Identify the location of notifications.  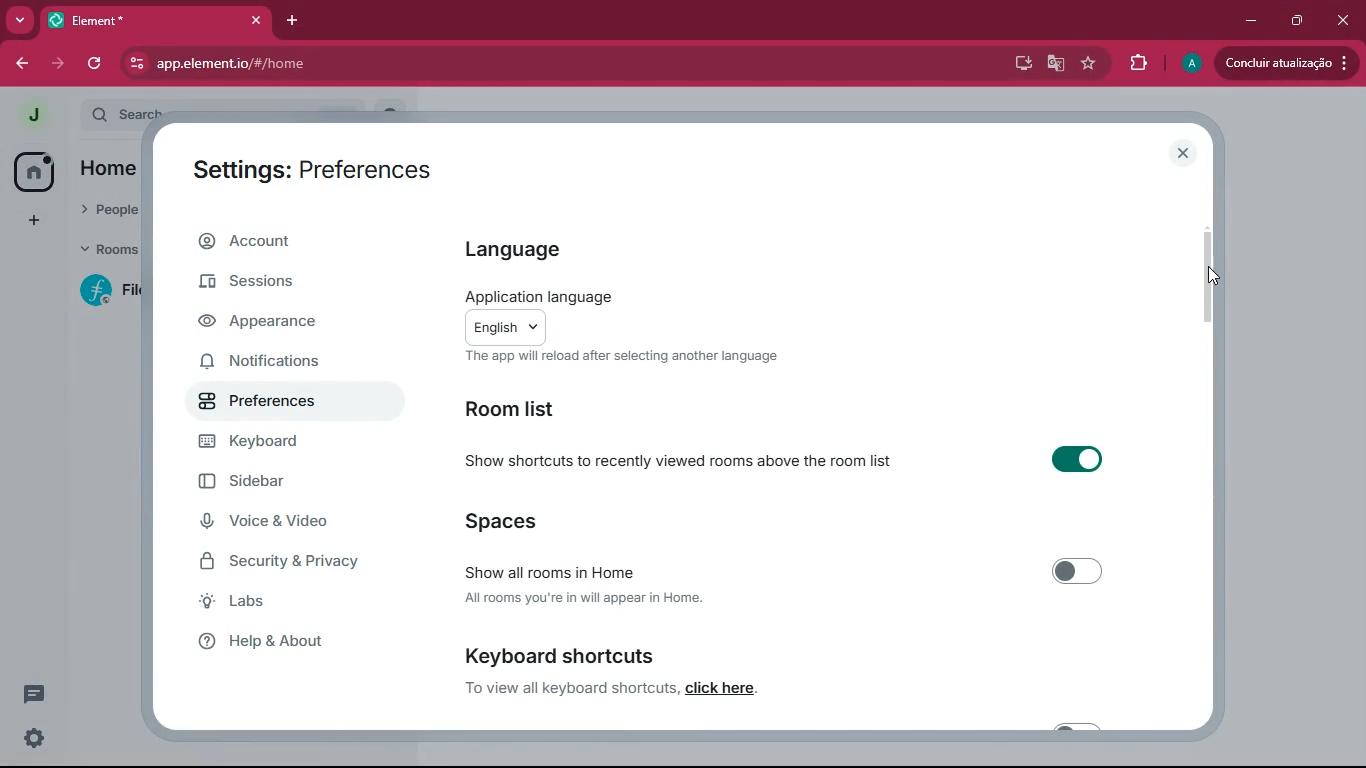
(271, 364).